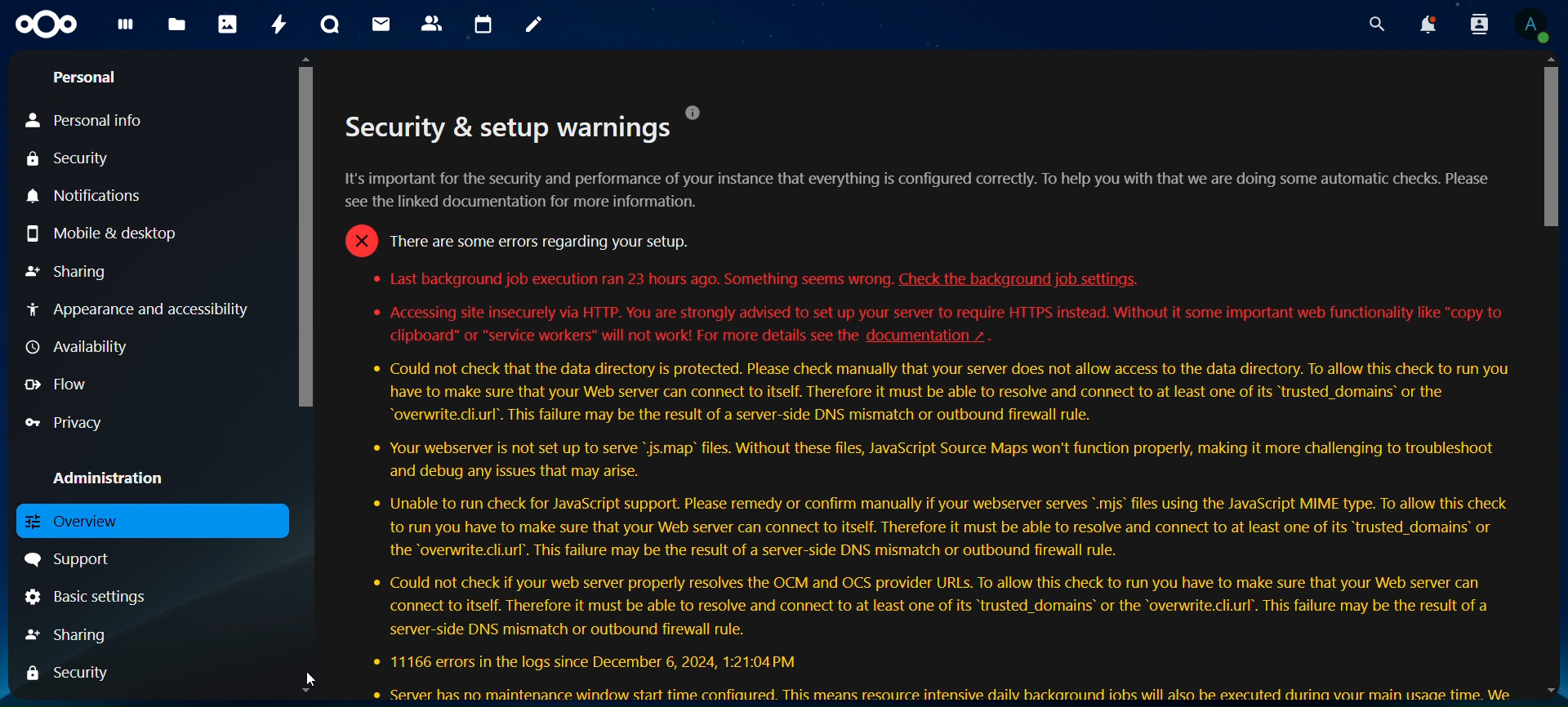 This screenshot has height=707, width=1568. Describe the element at coordinates (332, 25) in the screenshot. I see `talk` at that location.